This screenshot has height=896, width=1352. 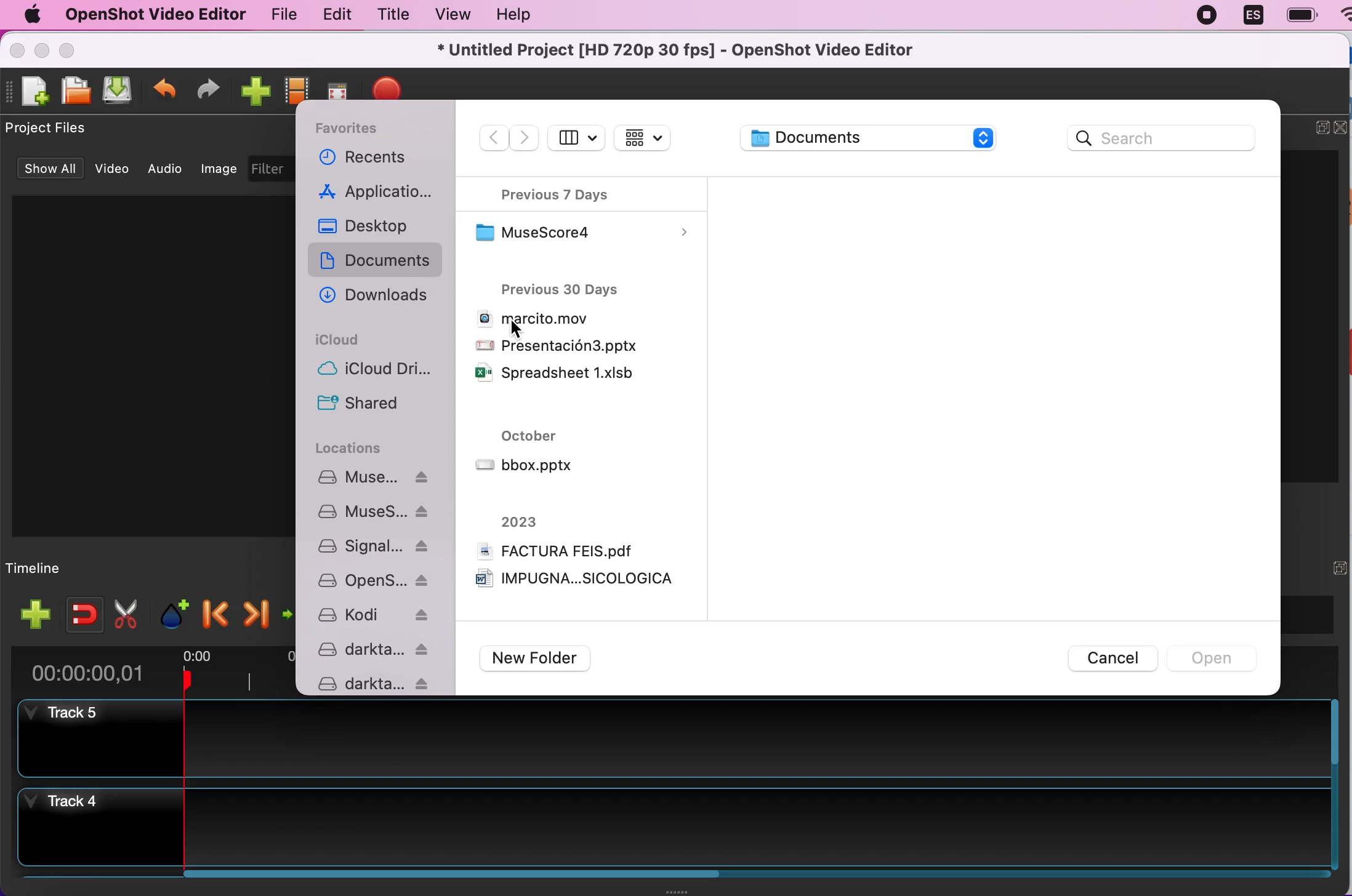 What do you see at coordinates (297, 89) in the screenshot?
I see `choose profile` at bounding box center [297, 89].